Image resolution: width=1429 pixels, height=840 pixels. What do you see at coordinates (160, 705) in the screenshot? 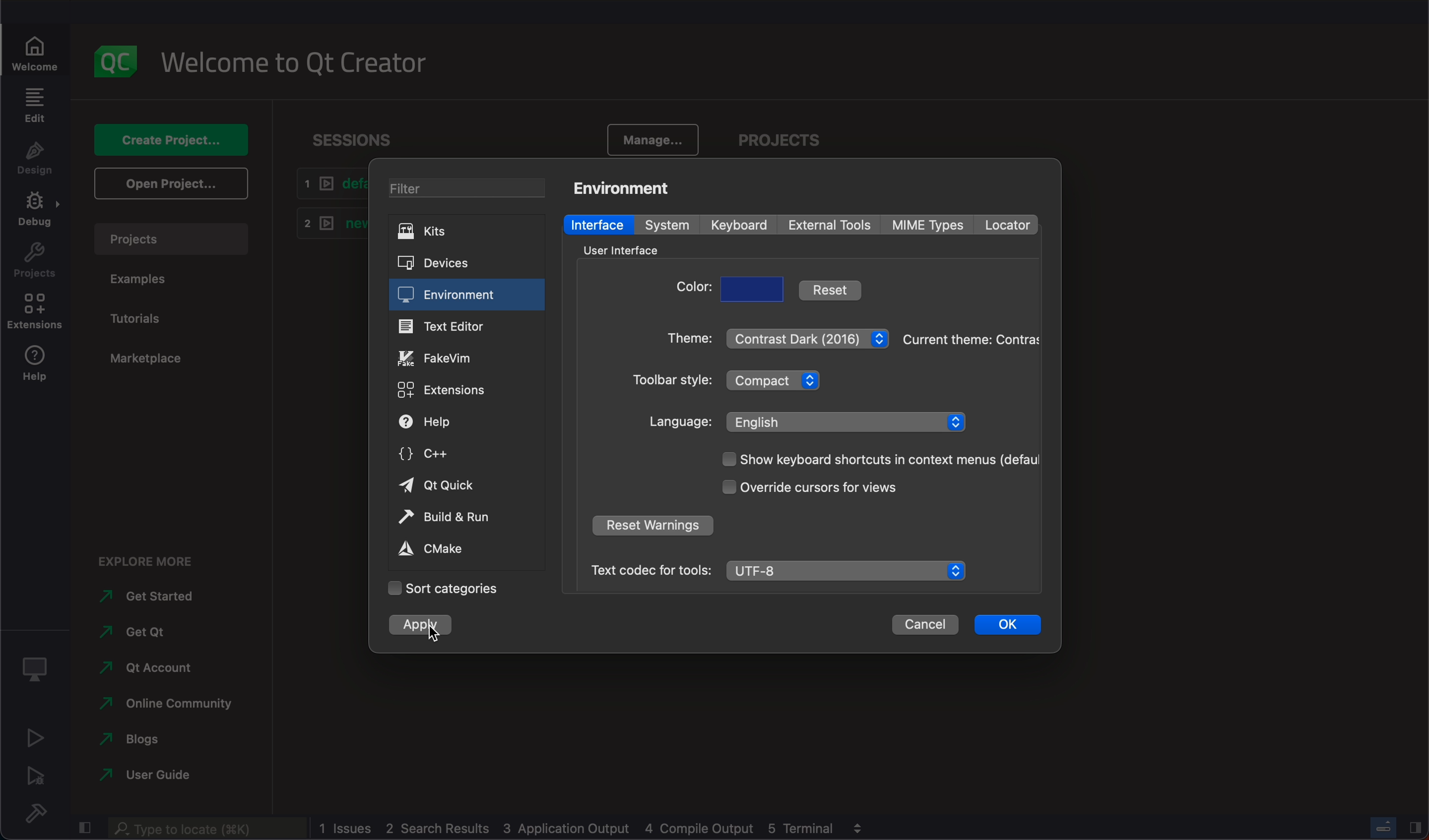
I see `online` at bounding box center [160, 705].